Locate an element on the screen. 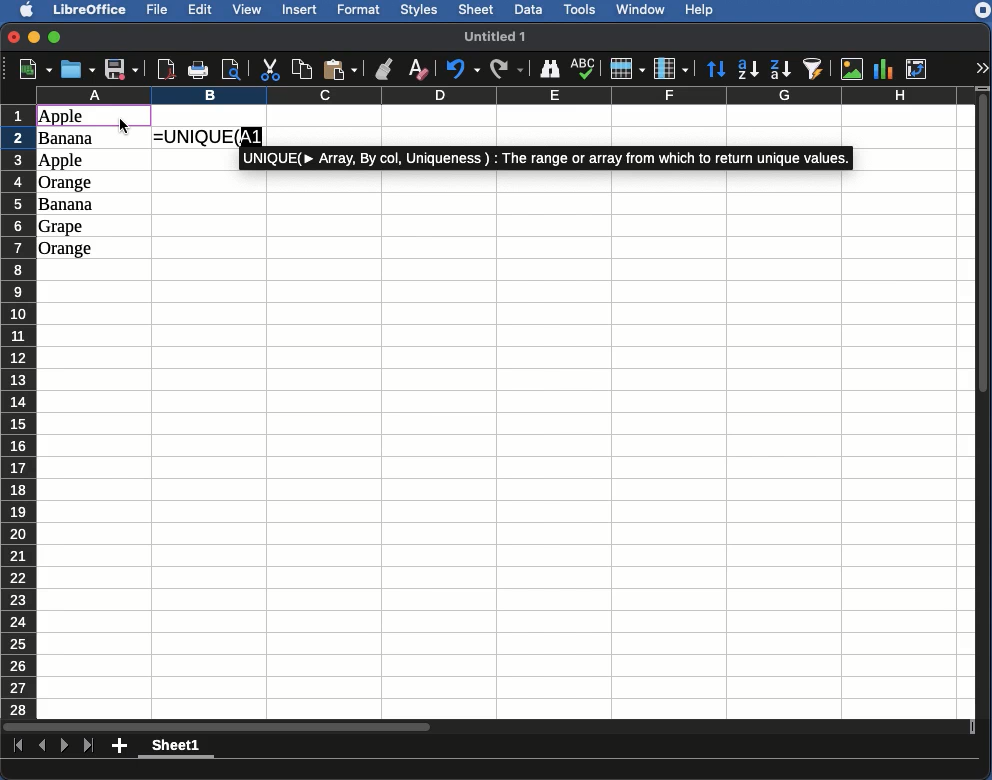 The image size is (992, 780). Edit is located at coordinates (201, 11).